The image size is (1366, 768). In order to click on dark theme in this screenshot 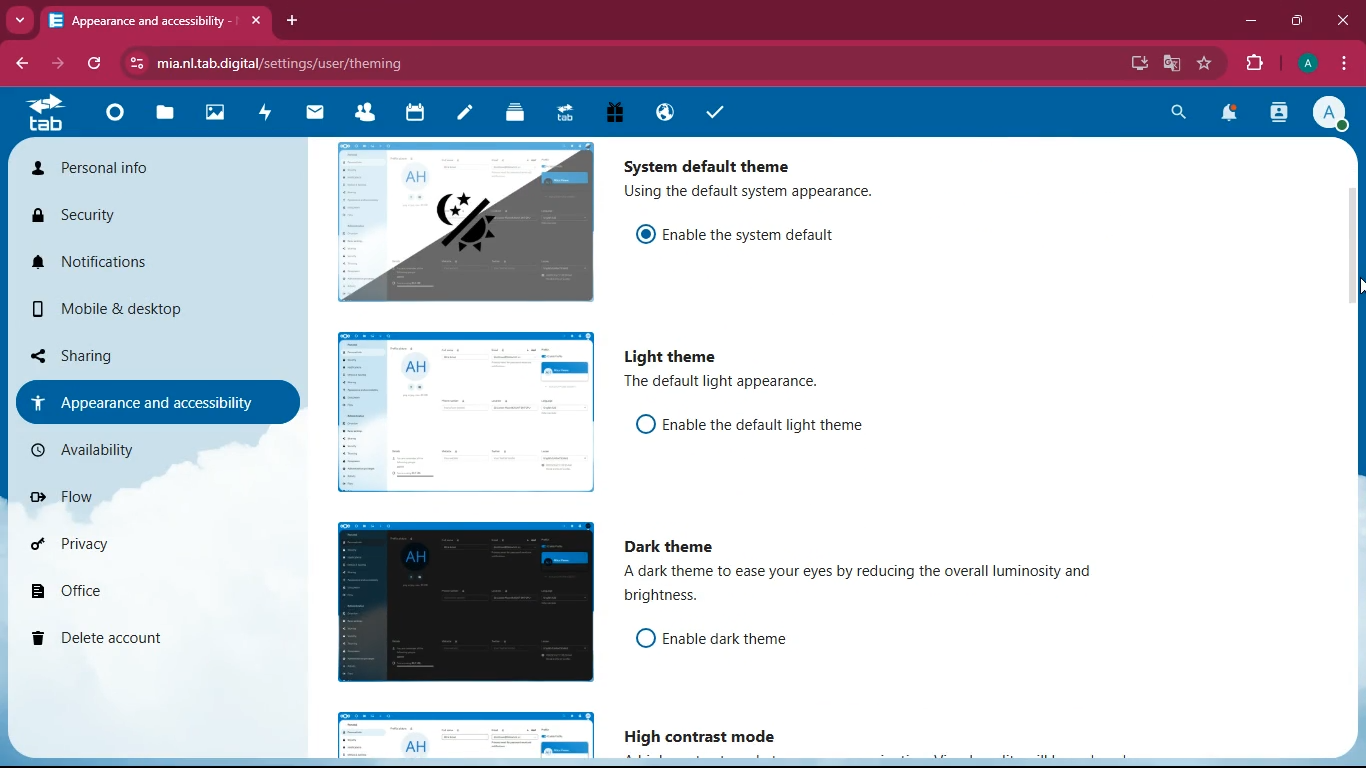, I will do `click(680, 547)`.